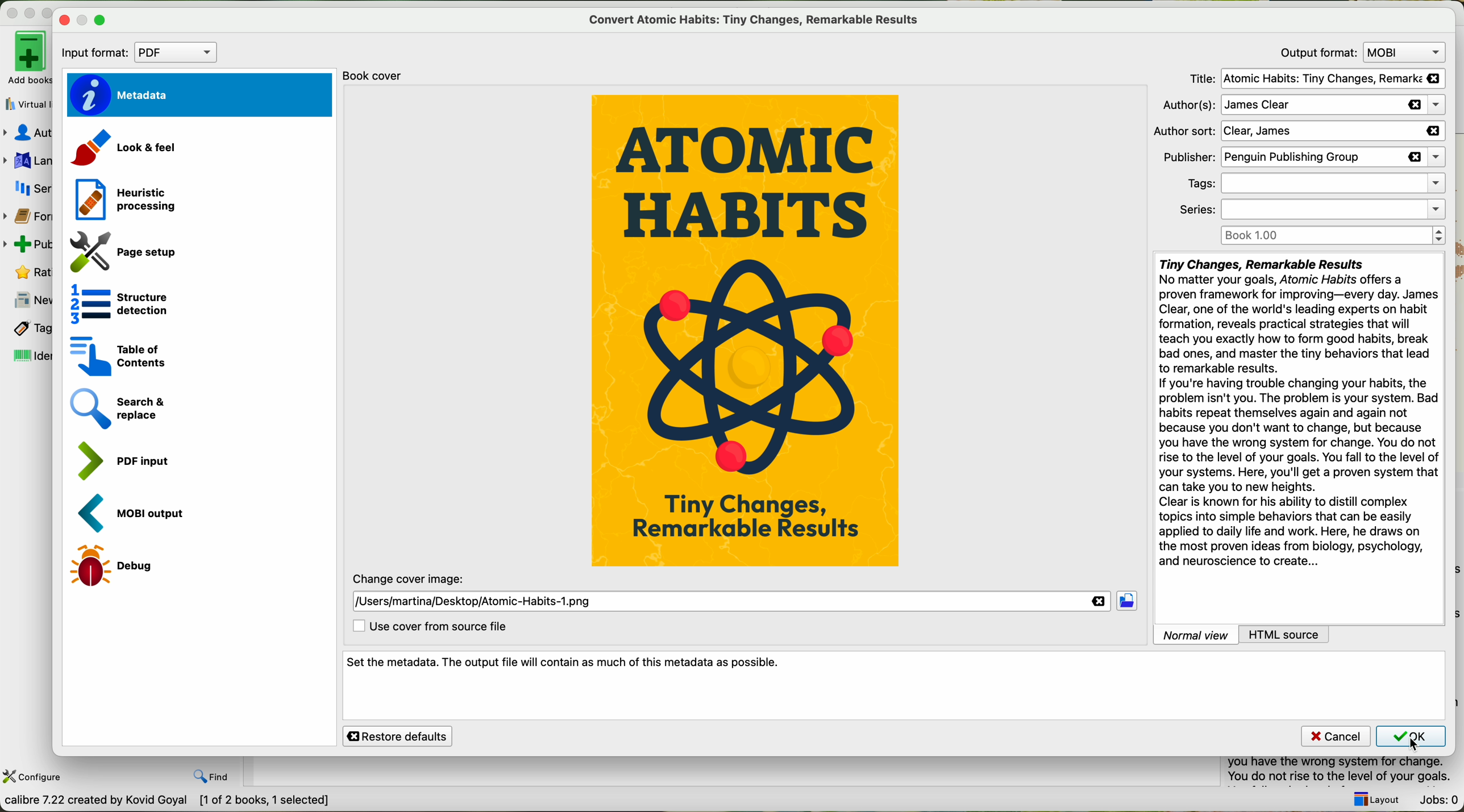 This screenshot has height=812, width=1464. Describe the element at coordinates (1373, 799) in the screenshot. I see `layout` at that location.